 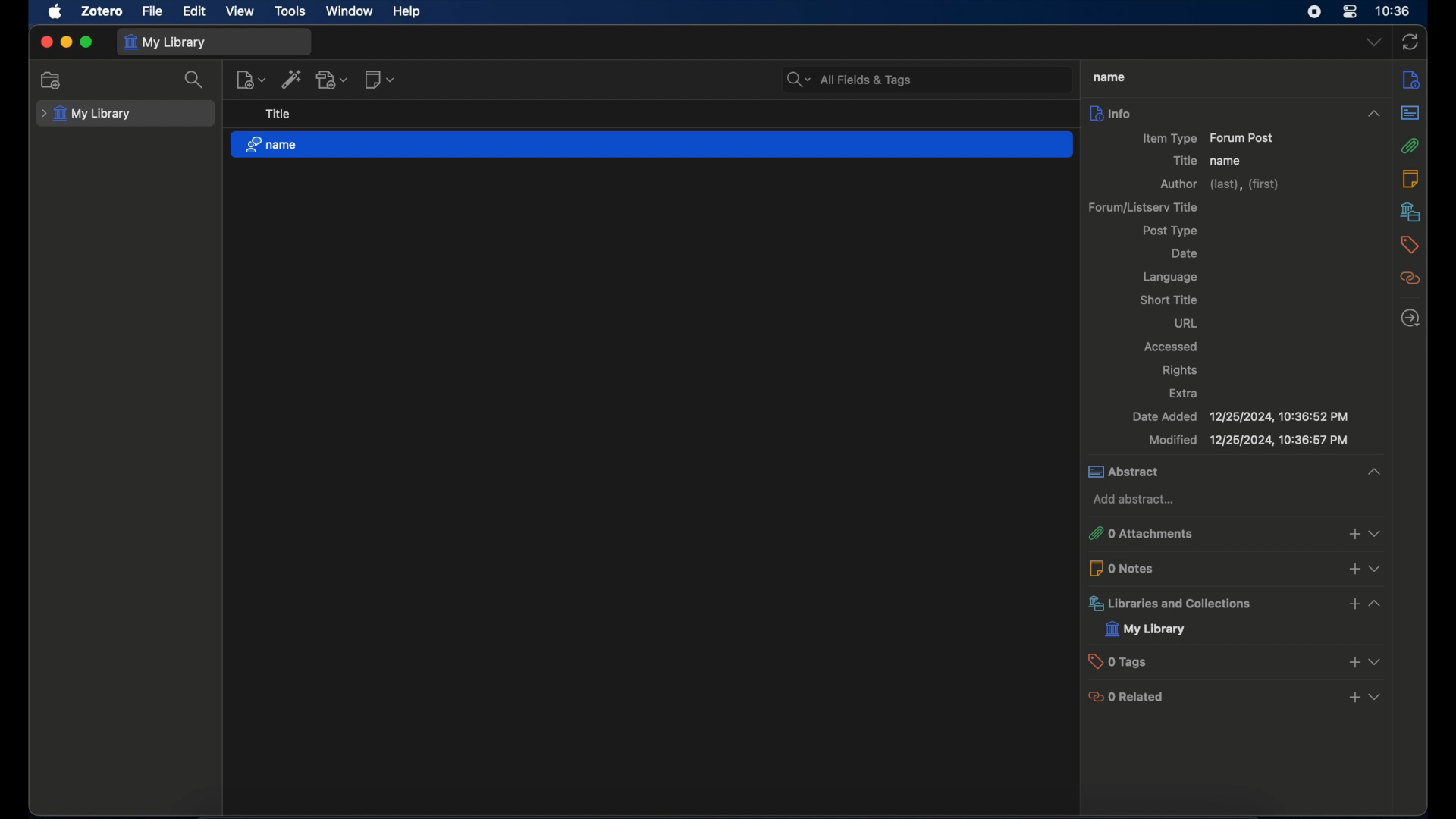 What do you see at coordinates (290, 11) in the screenshot?
I see `tools` at bounding box center [290, 11].